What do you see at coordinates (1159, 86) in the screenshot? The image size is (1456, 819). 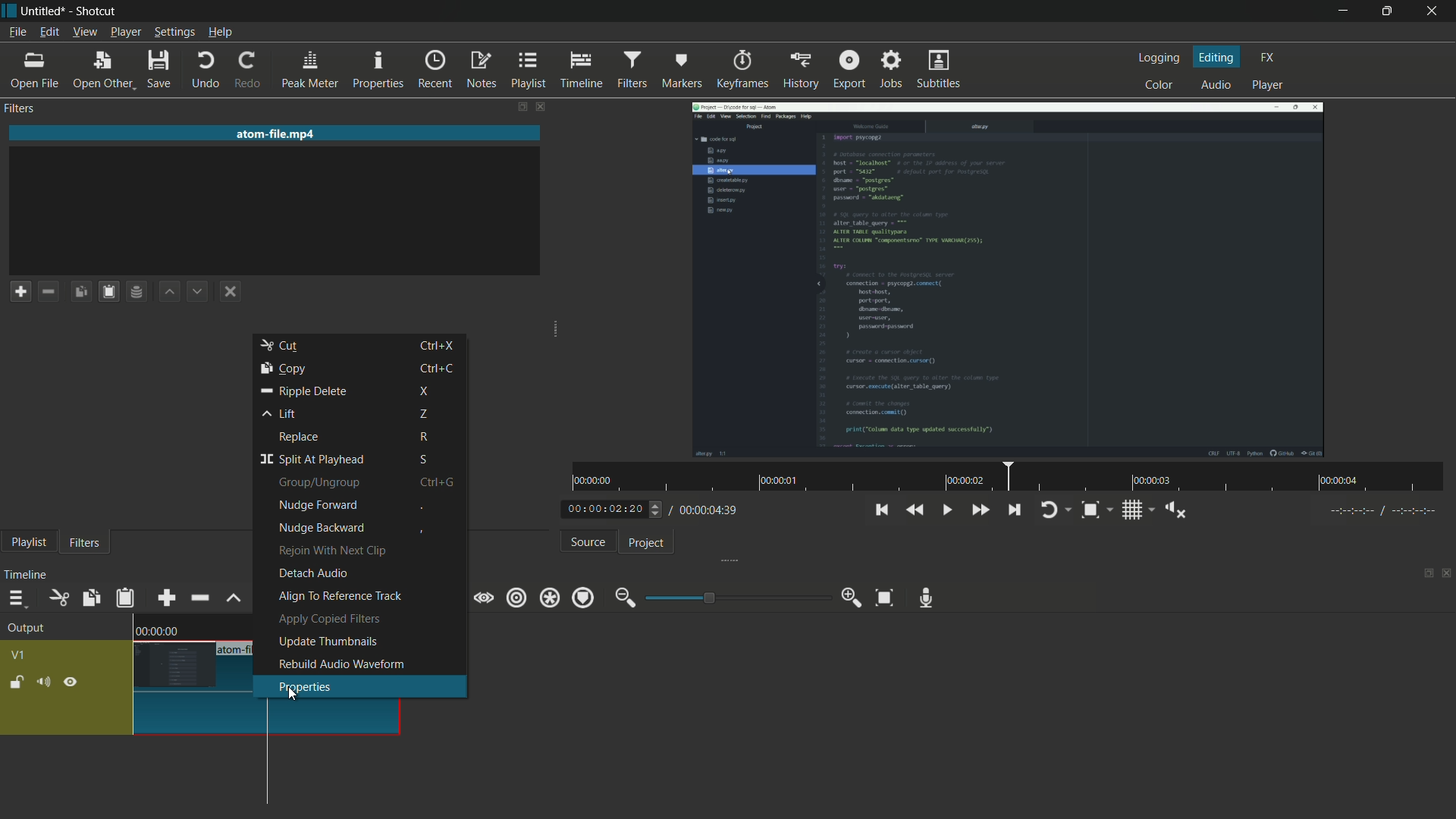 I see `color` at bounding box center [1159, 86].